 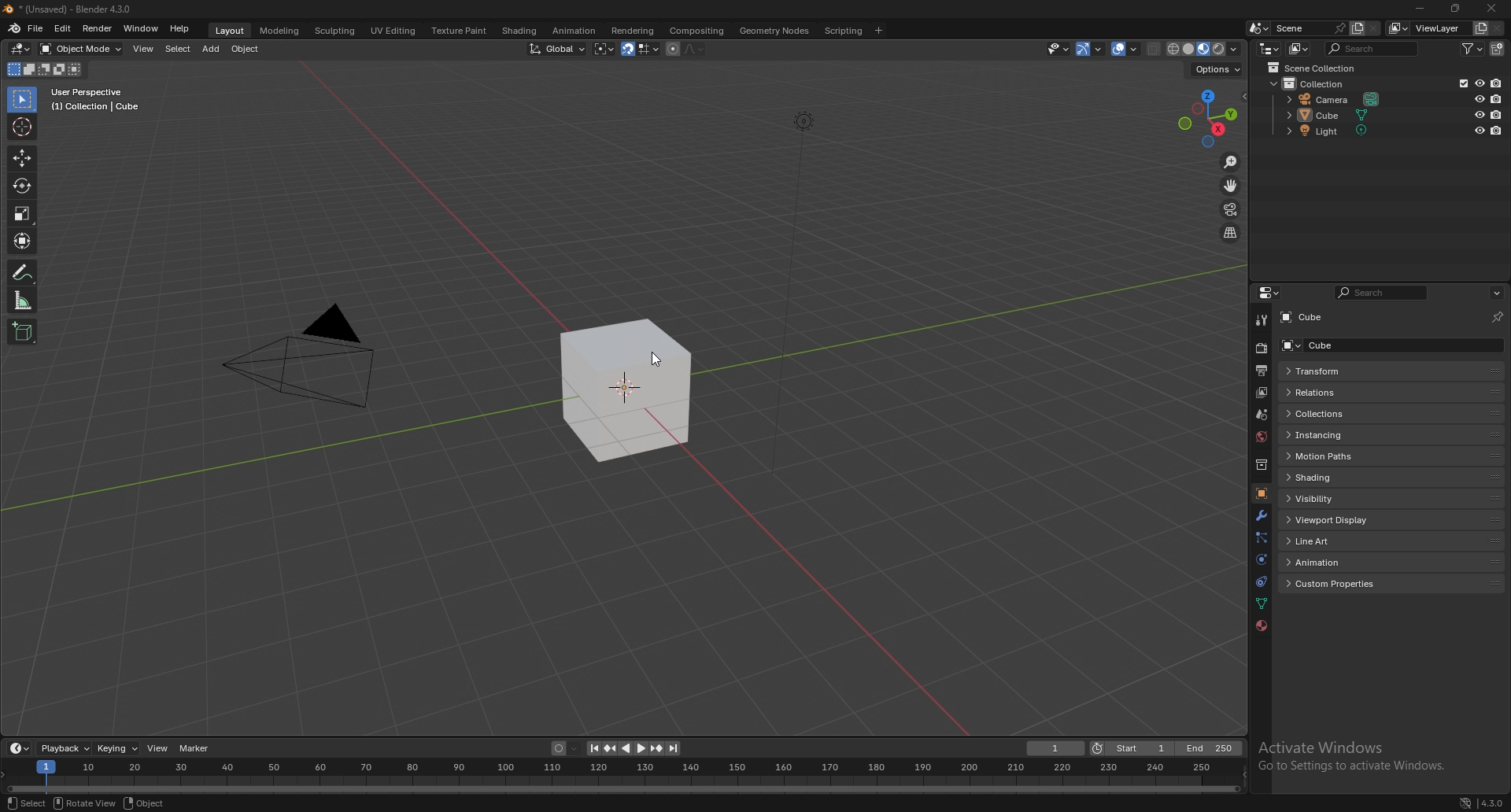 I want to click on hide in viewport, so click(x=1478, y=115).